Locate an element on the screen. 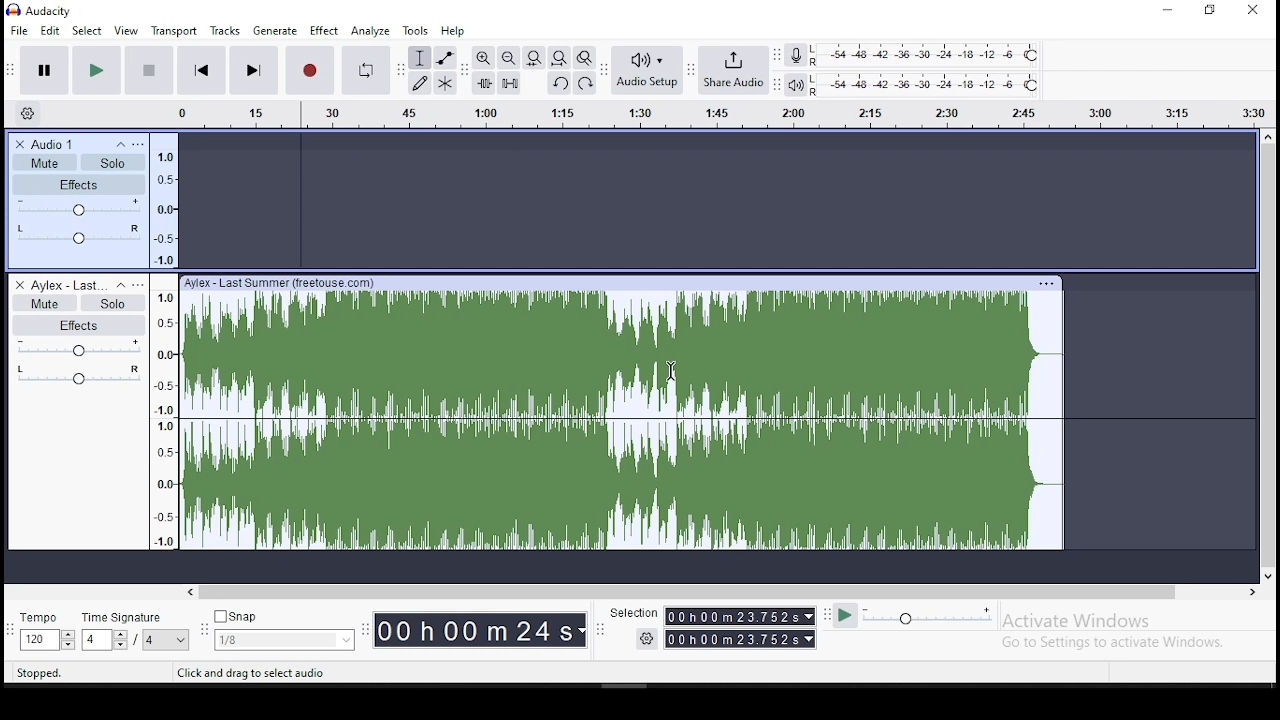 The image size is (1280, 720). fit project to width is located at coordinates (559, 57).